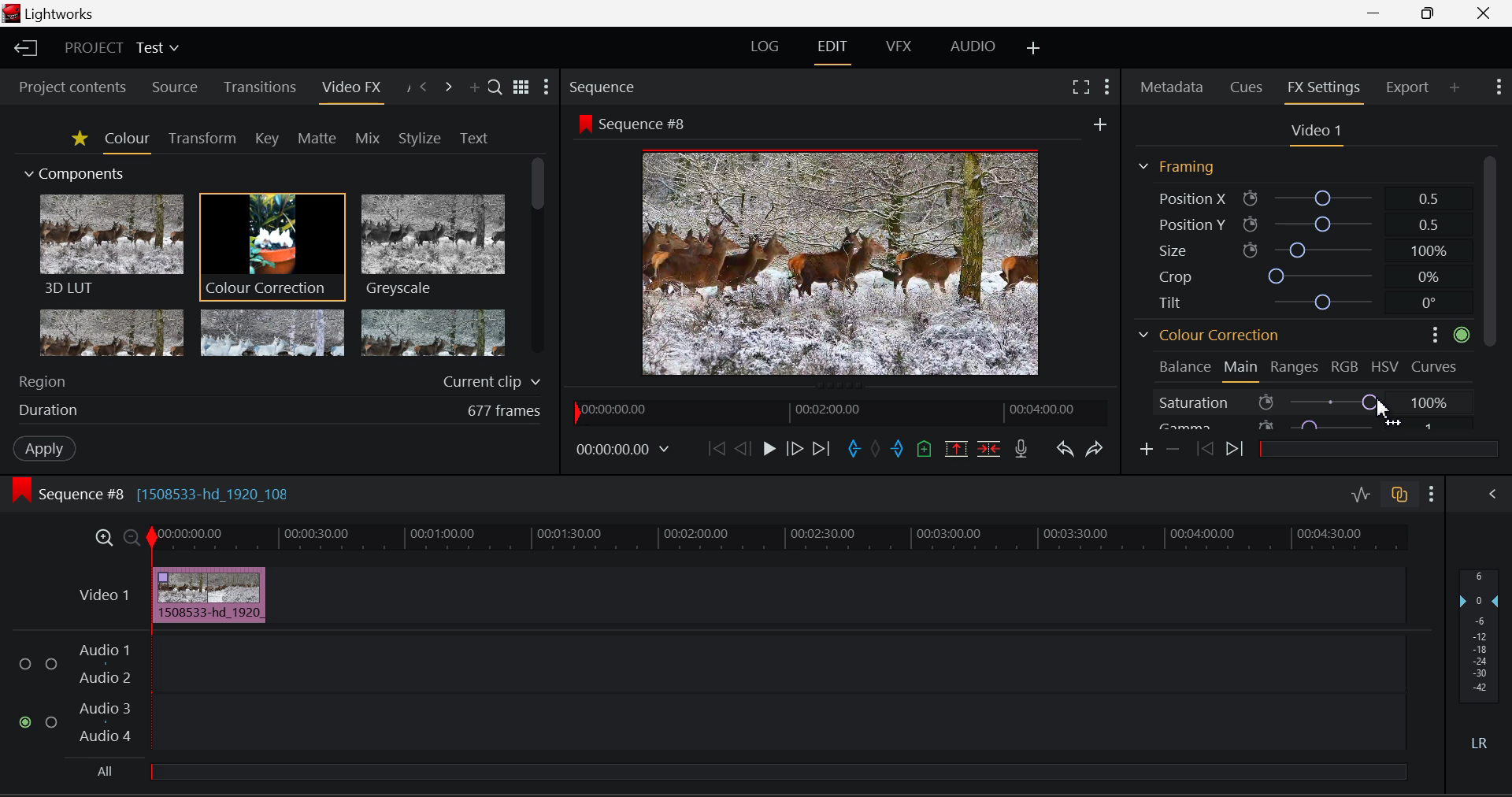  What do you see at coordinates (1462, 334) in the screenshot?
I see `active` at bounding box center [1462, 334].